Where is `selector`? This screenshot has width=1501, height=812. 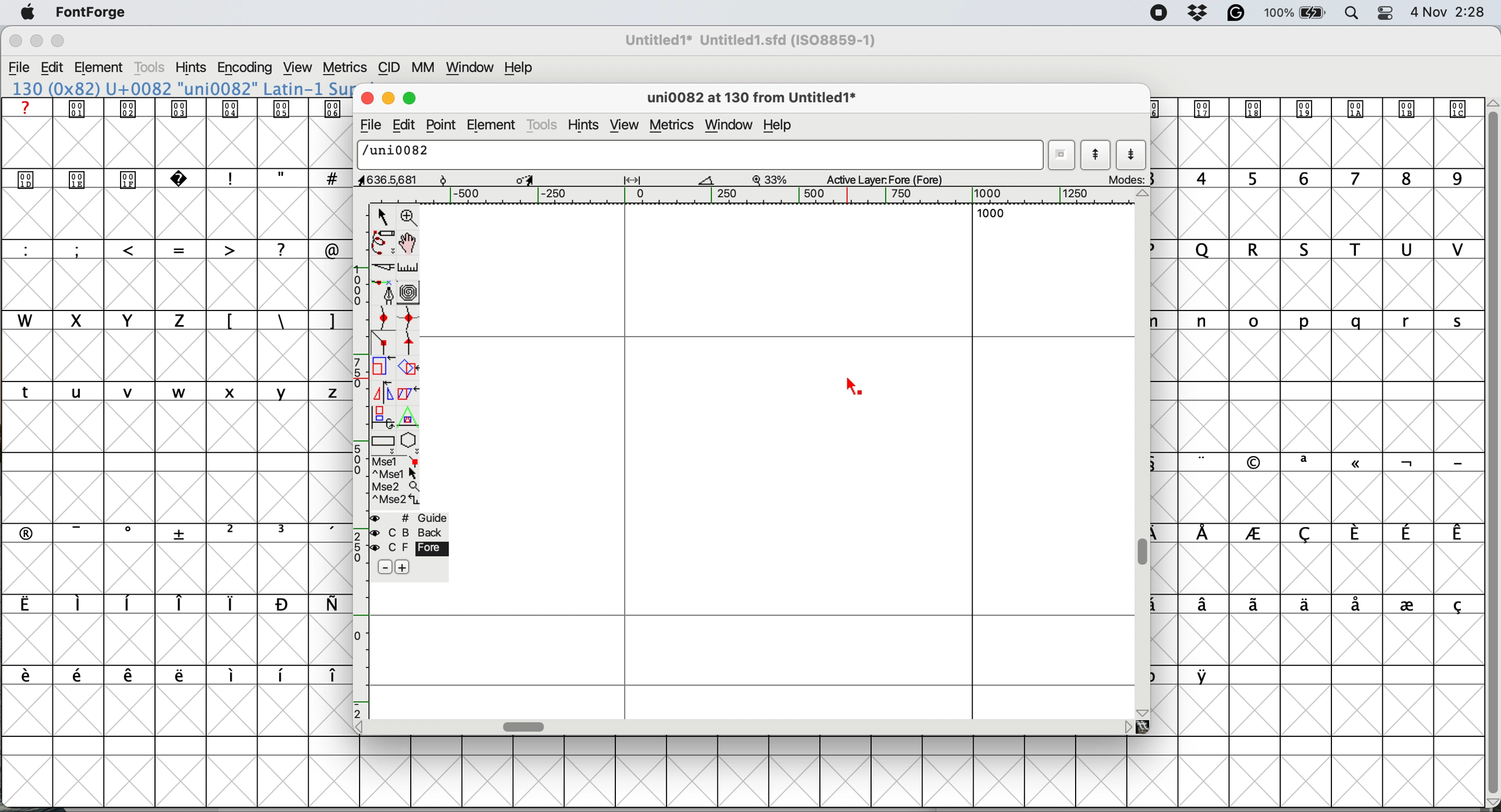
selector is located at coordinates (382, 218).